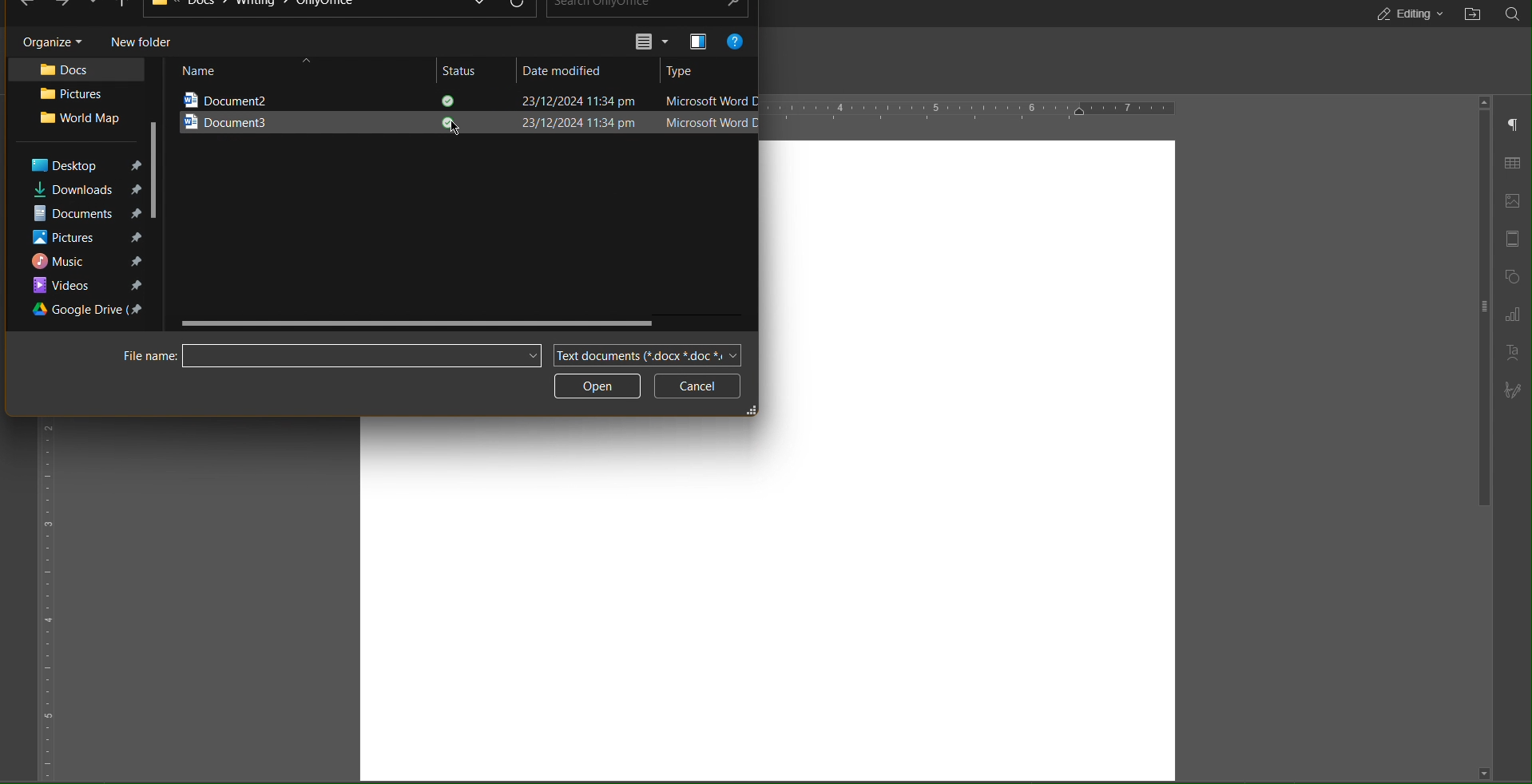 This screenshot has width=1532, height=784. What do you see at coordinates (1514, 125) in the screenshot?
I see `Paragraph Settings` at bounding box center [1514, 125].